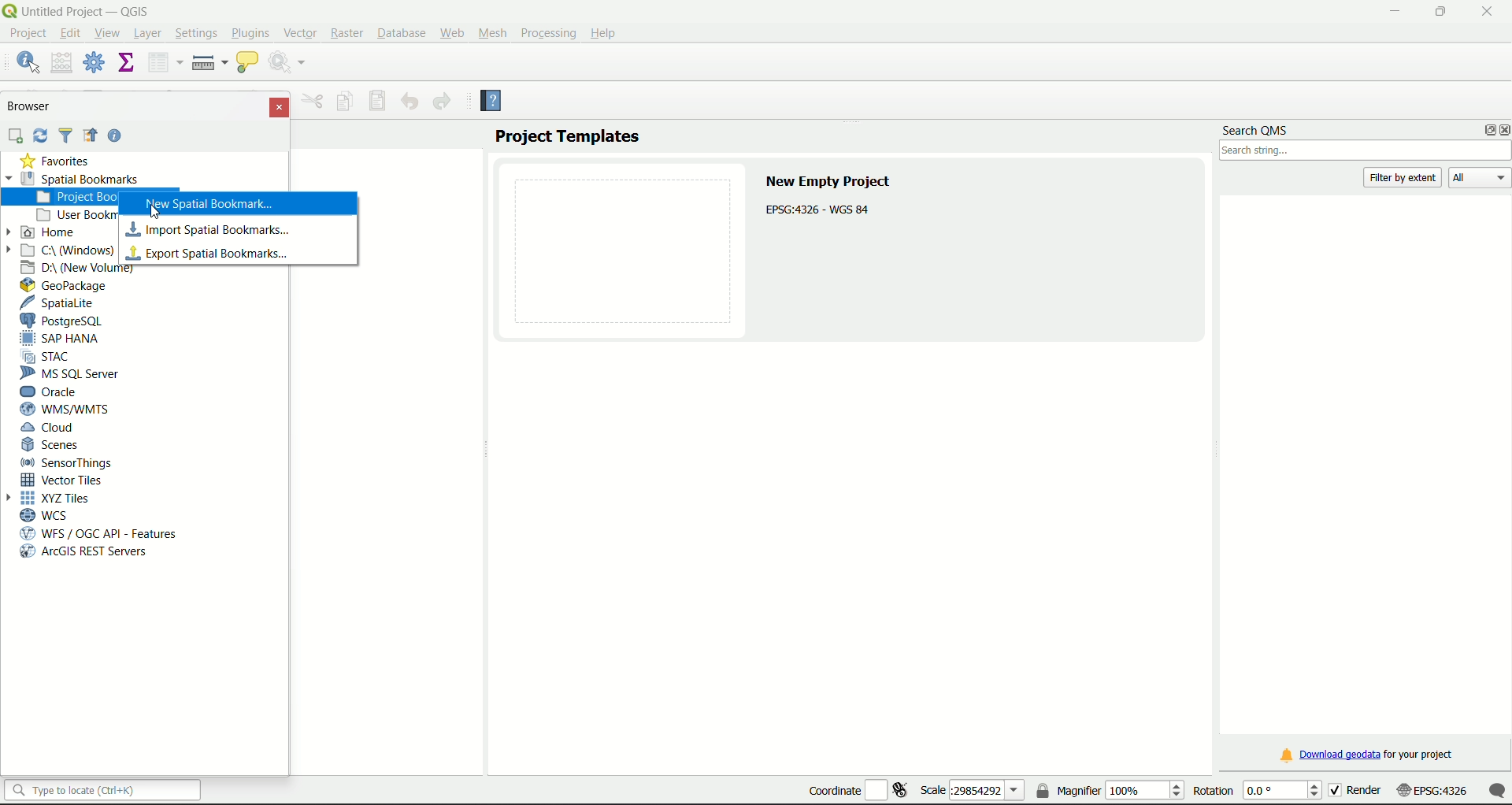 The width and height of the screenshot is (1512, 805). What do you see at coordinates (289, 62) in the screenshot?
I see `run feature action` at bounding box center [289, 62].